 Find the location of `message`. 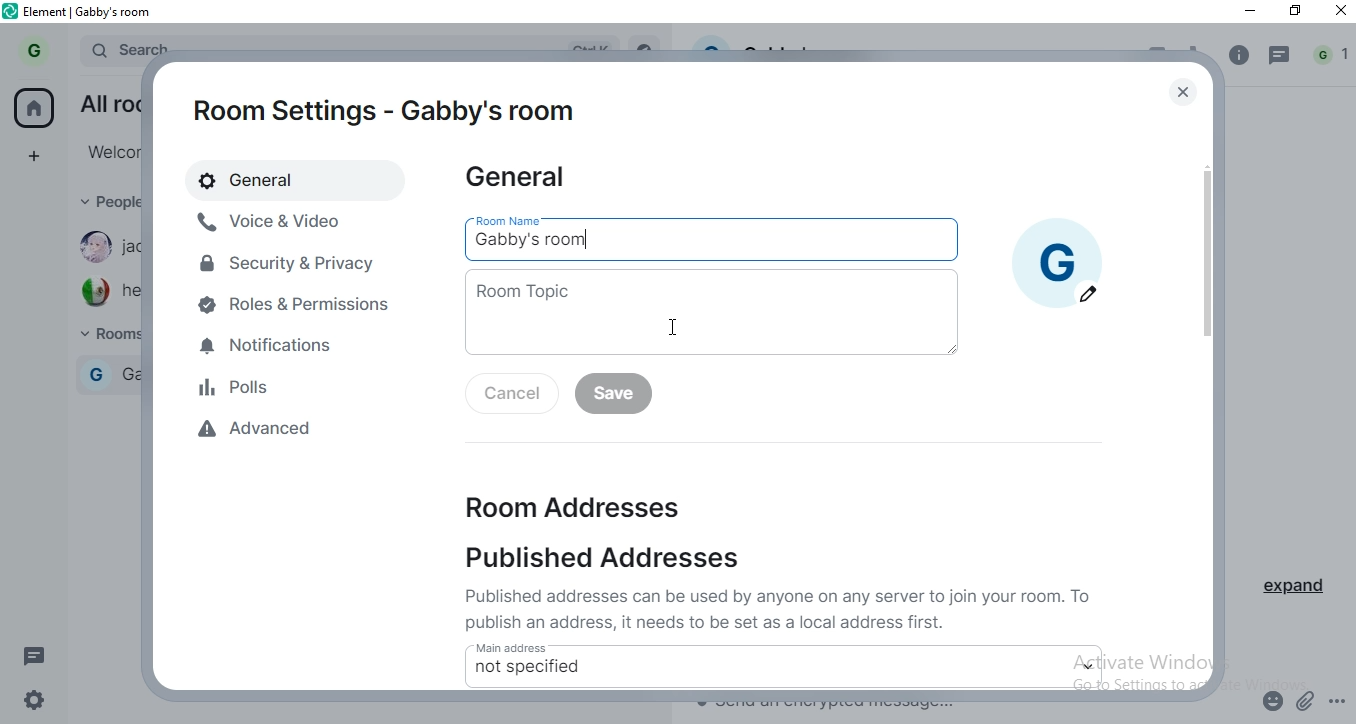

message is located at coordinates (37, 655).